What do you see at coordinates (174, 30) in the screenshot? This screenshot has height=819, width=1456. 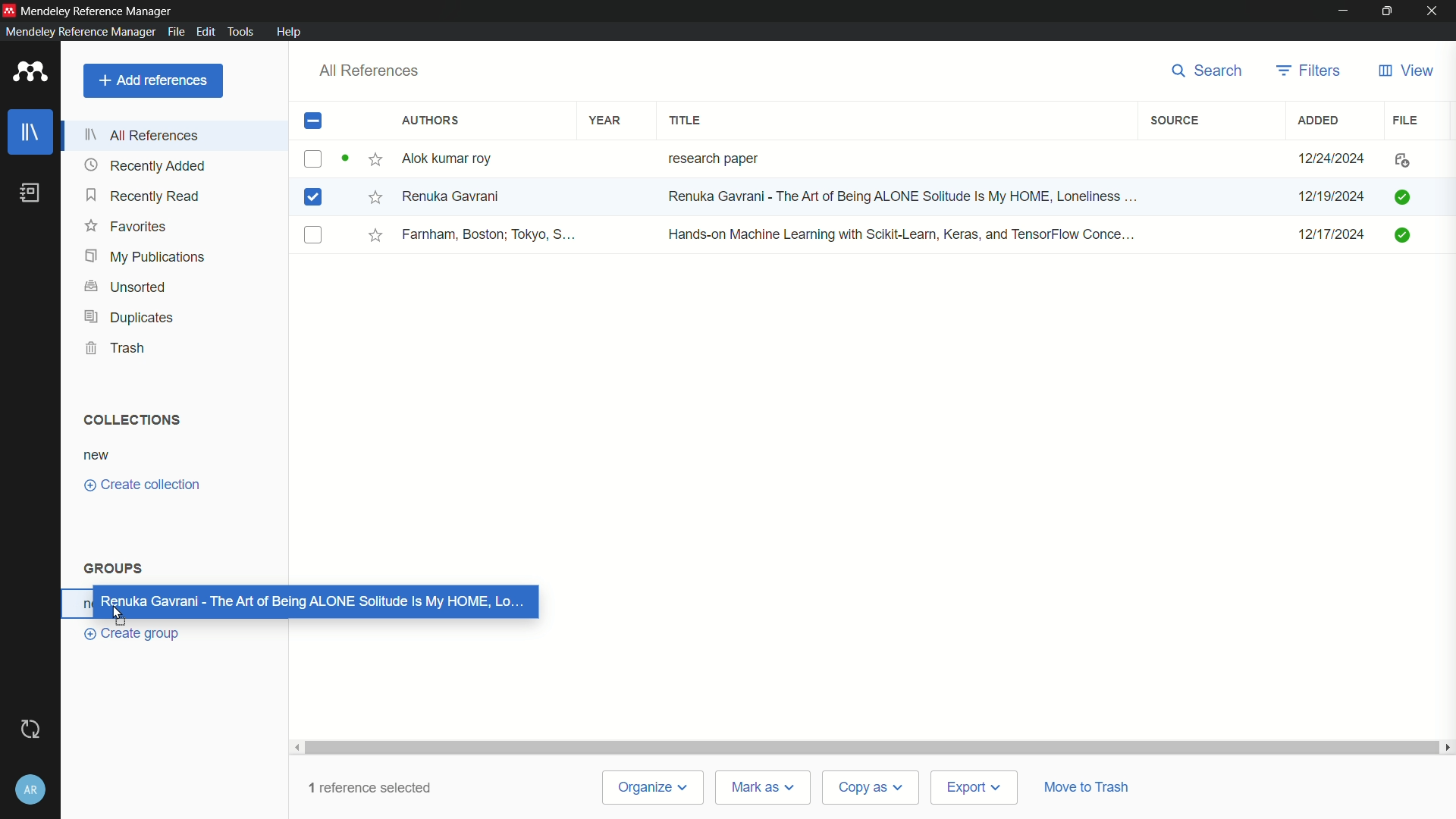 I see `file menu` at bounding box center [174, 30].